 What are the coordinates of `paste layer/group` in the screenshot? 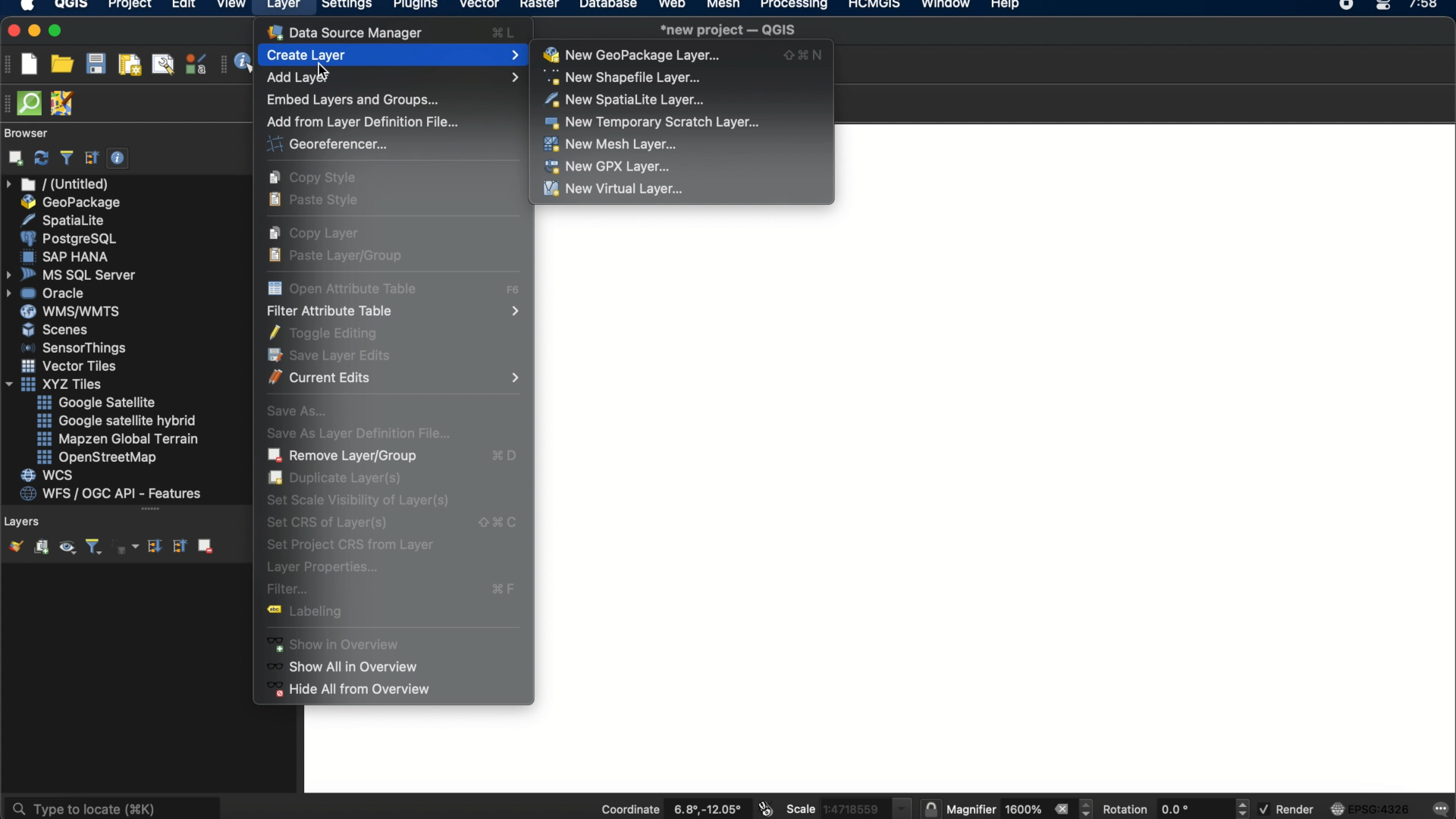 It's located at (336, 256).